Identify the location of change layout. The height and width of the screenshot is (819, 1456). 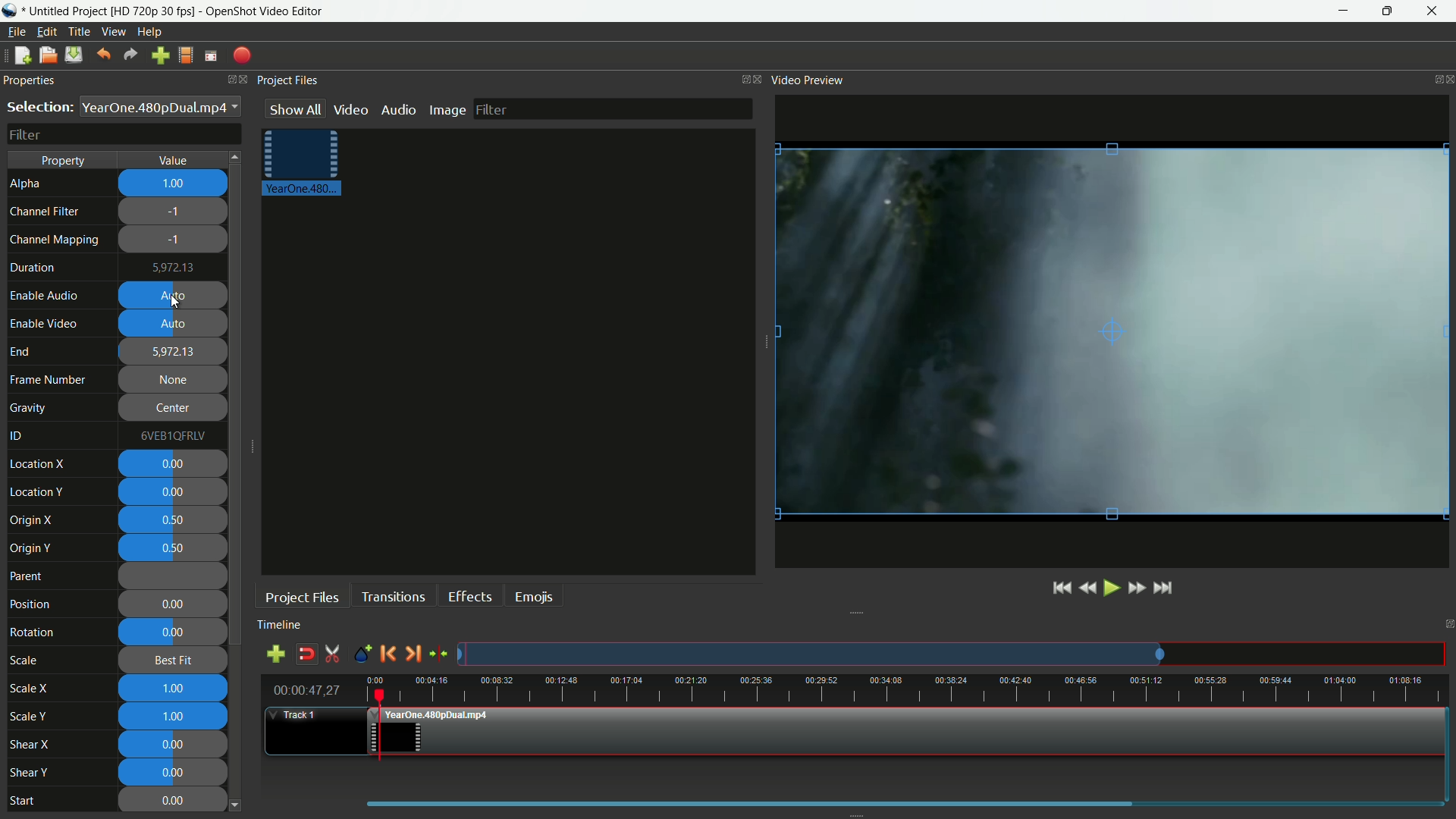
(739, 79).